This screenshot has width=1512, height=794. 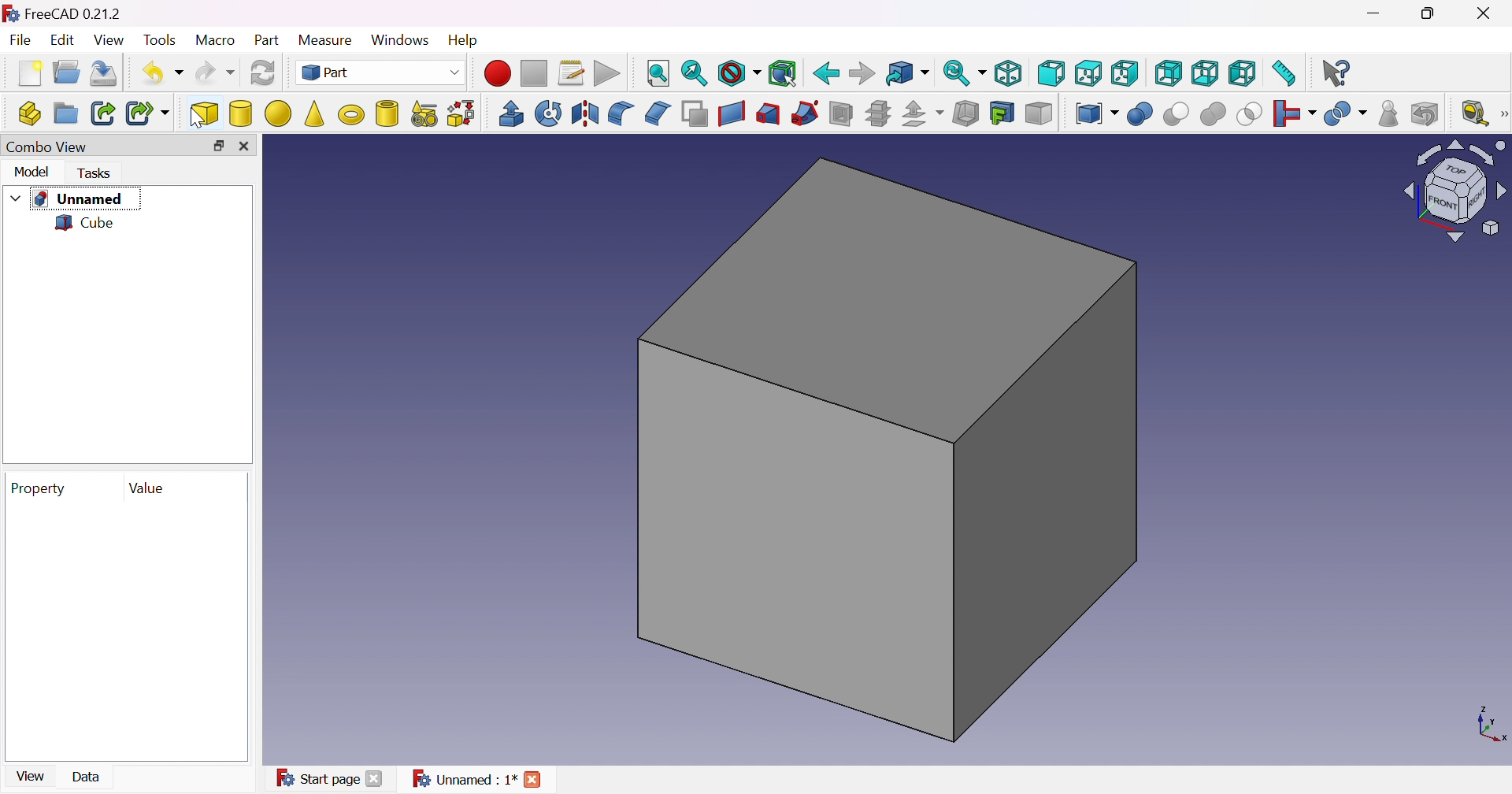 What do you see at coordinates (206, 110) in the screenshot?
I see `cube` at bounding box center [206, 110].